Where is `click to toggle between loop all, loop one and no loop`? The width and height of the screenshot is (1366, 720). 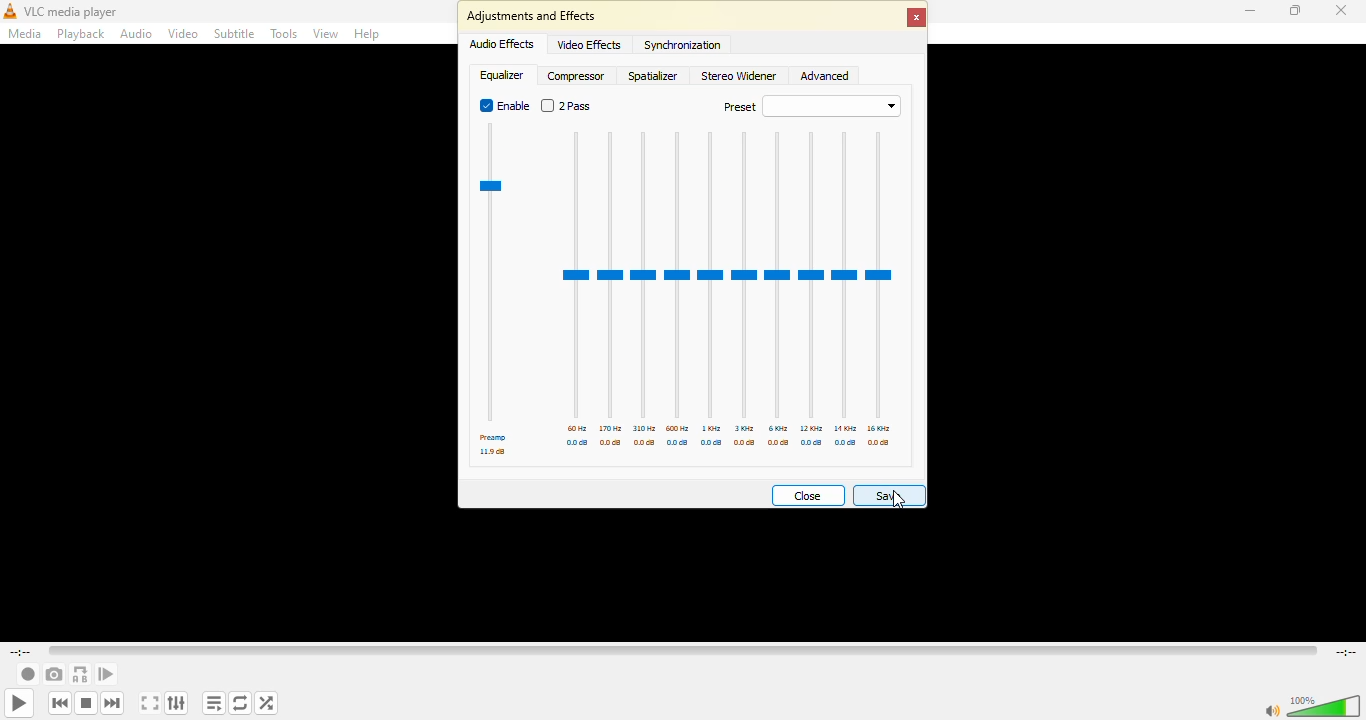
click to toggle between loop all, loop one and no loop is located at coordinates (240, 703).